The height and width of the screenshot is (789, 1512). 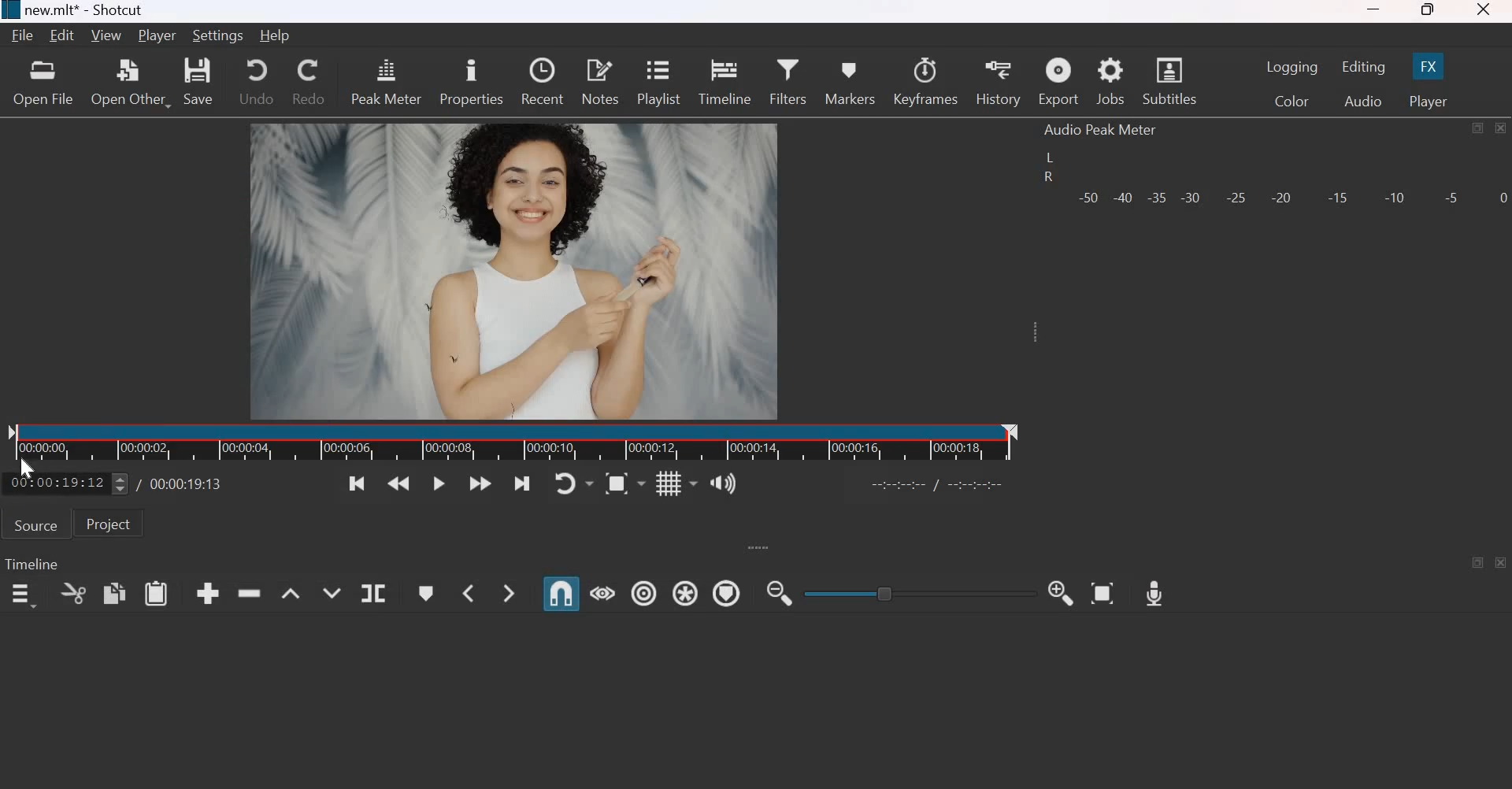 What do you see at coordinates (399, 482) in the screenshot?
I see `Play quickly backwards` at bounding box center [399, 482].